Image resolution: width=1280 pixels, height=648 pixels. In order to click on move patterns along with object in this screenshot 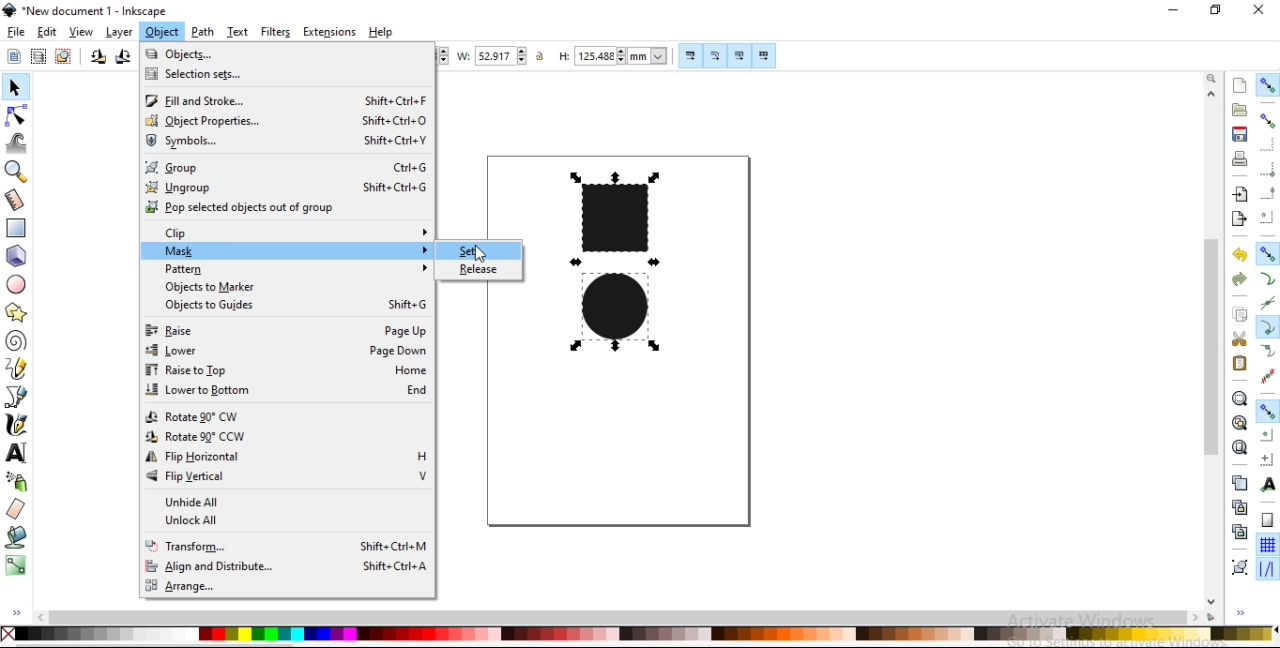, I will do `click(765, 56)`.